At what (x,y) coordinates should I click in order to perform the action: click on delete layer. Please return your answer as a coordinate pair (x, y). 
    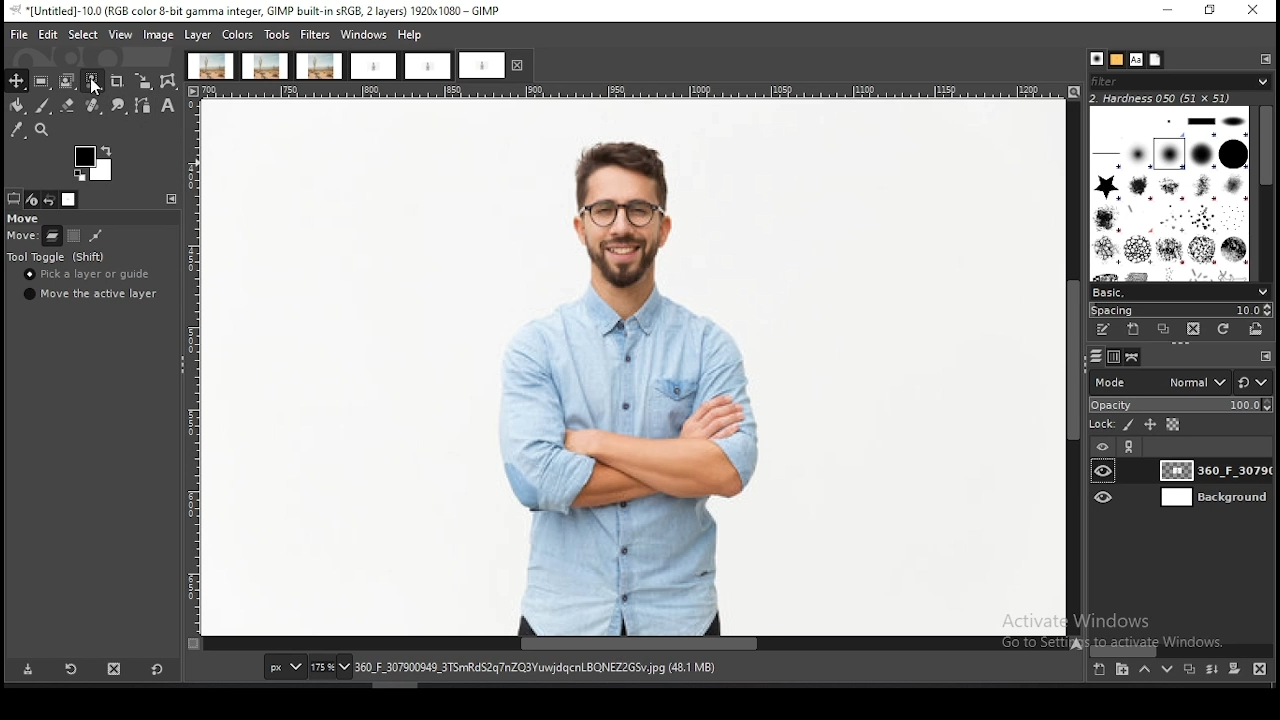
    Looking at the image, I should click on (1263, 671).